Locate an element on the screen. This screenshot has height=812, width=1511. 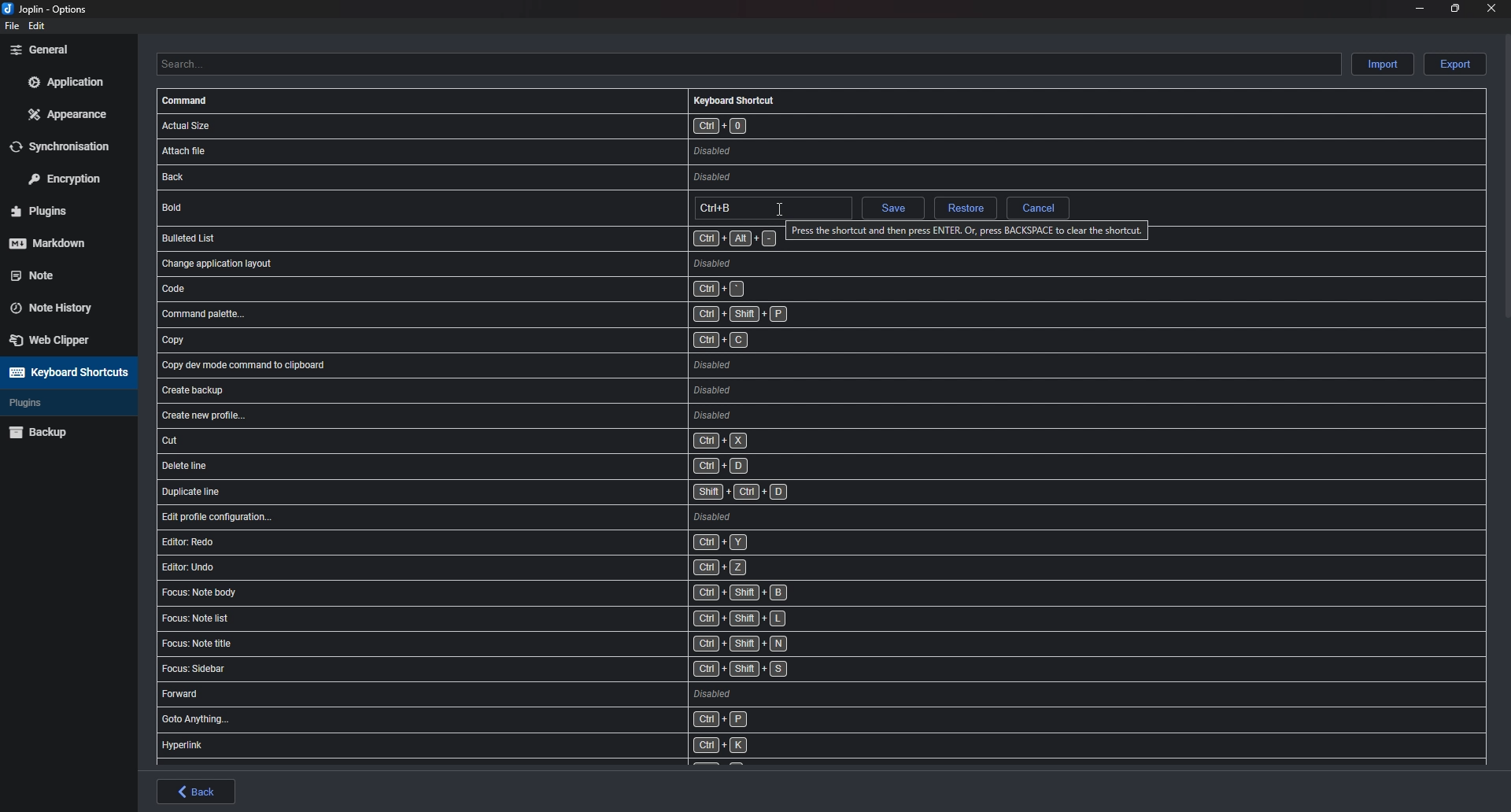
shortcut is located at coordinates (535, 441).